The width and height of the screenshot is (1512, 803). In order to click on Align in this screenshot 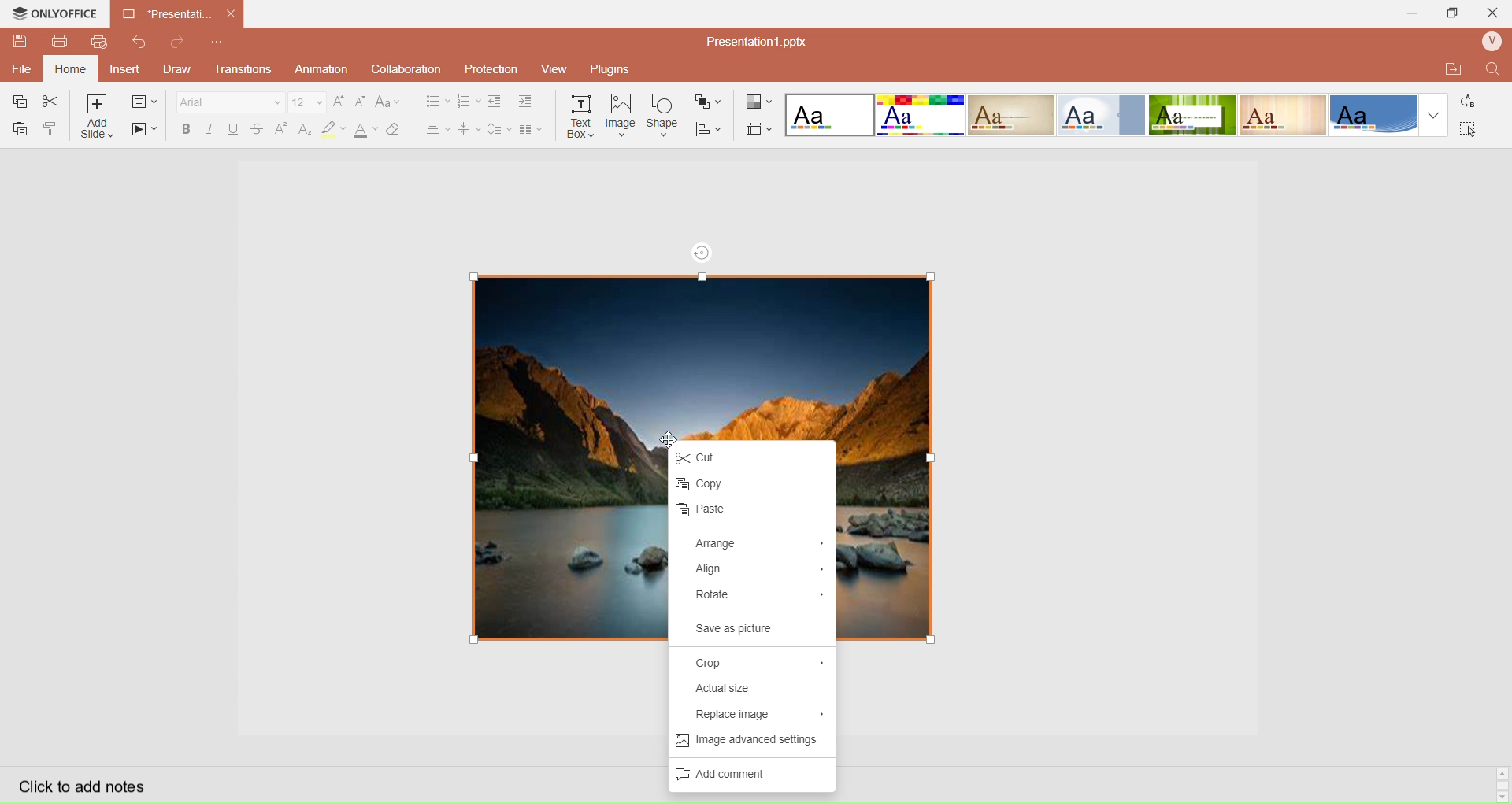, I will do `click(755, 568)`.